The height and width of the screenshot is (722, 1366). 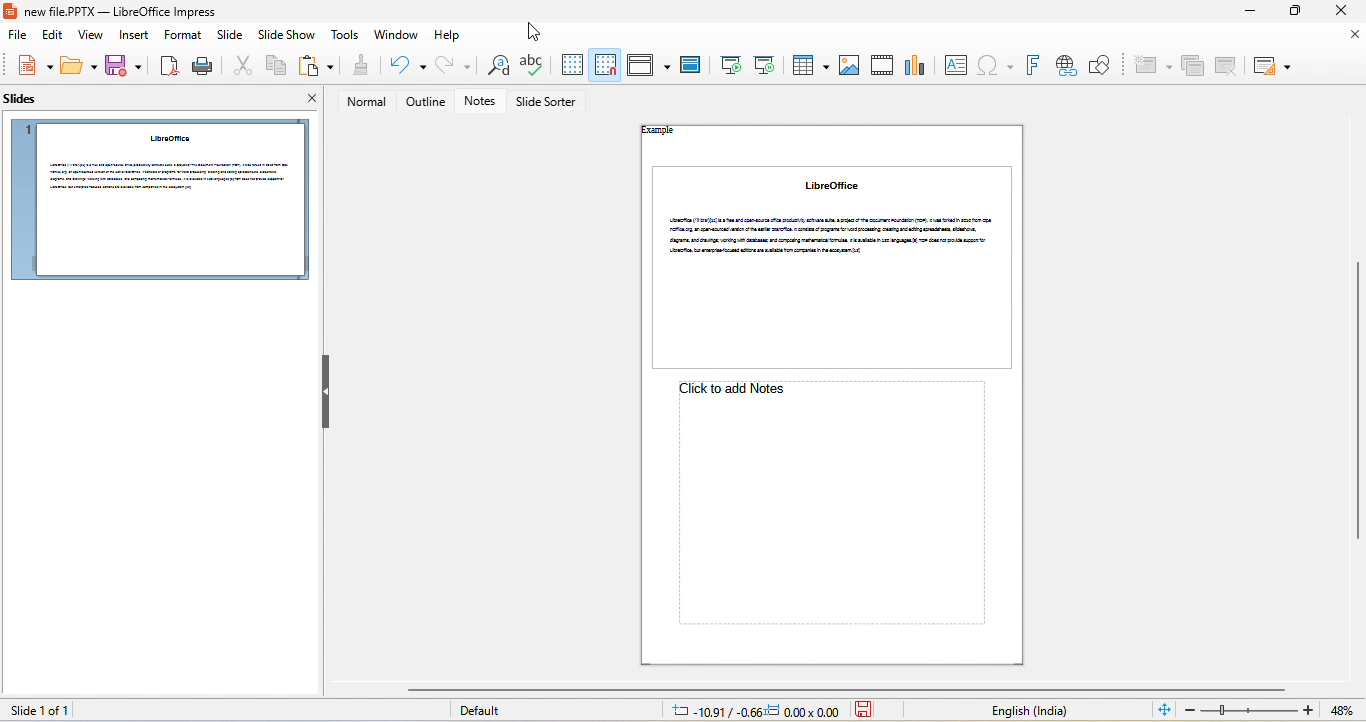 I want to click on display to grid, so click(x=571, y=65).